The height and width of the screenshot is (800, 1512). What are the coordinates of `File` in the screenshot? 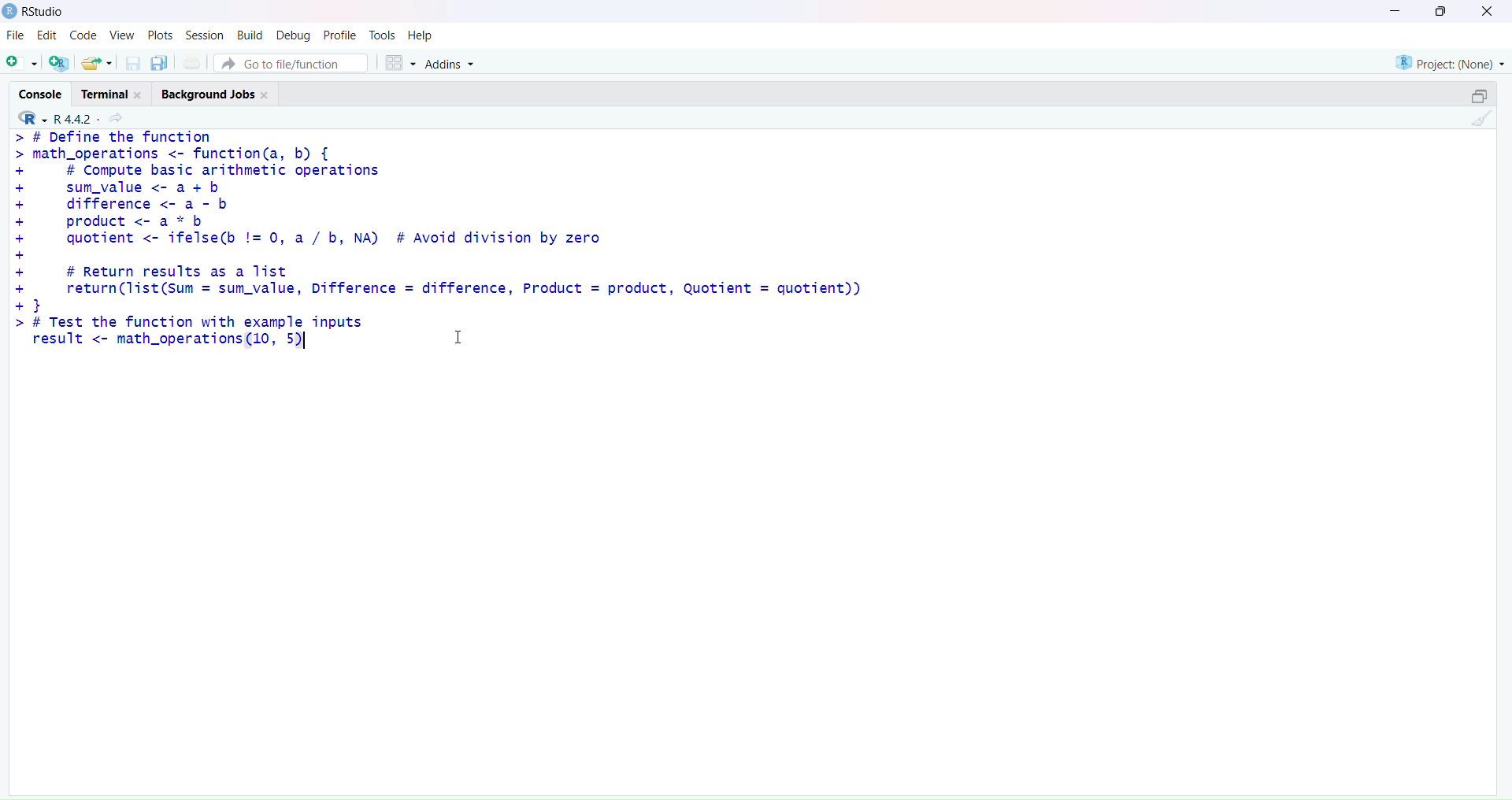 It's located at (13, 36).